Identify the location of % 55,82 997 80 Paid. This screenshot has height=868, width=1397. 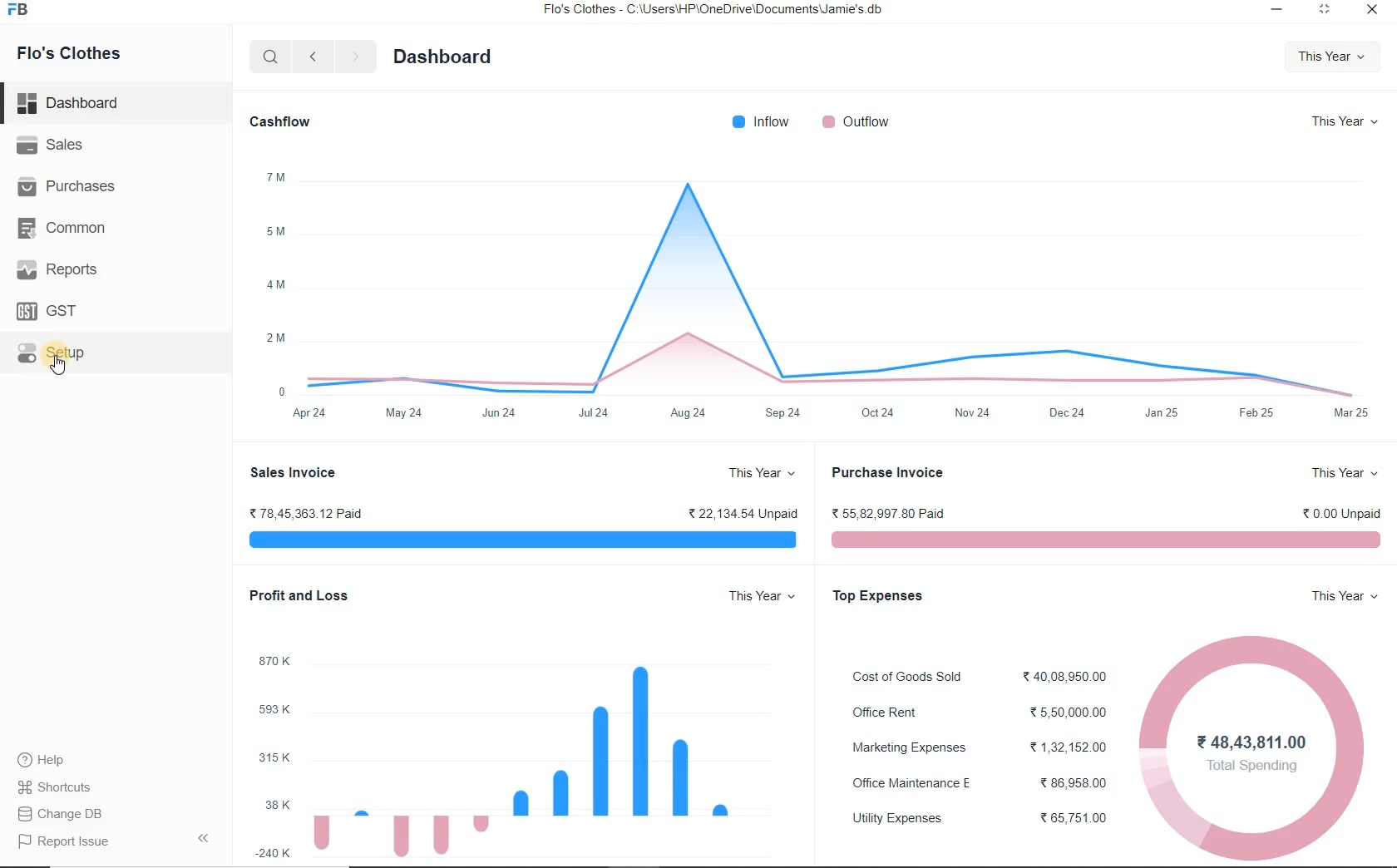
(886, 514).